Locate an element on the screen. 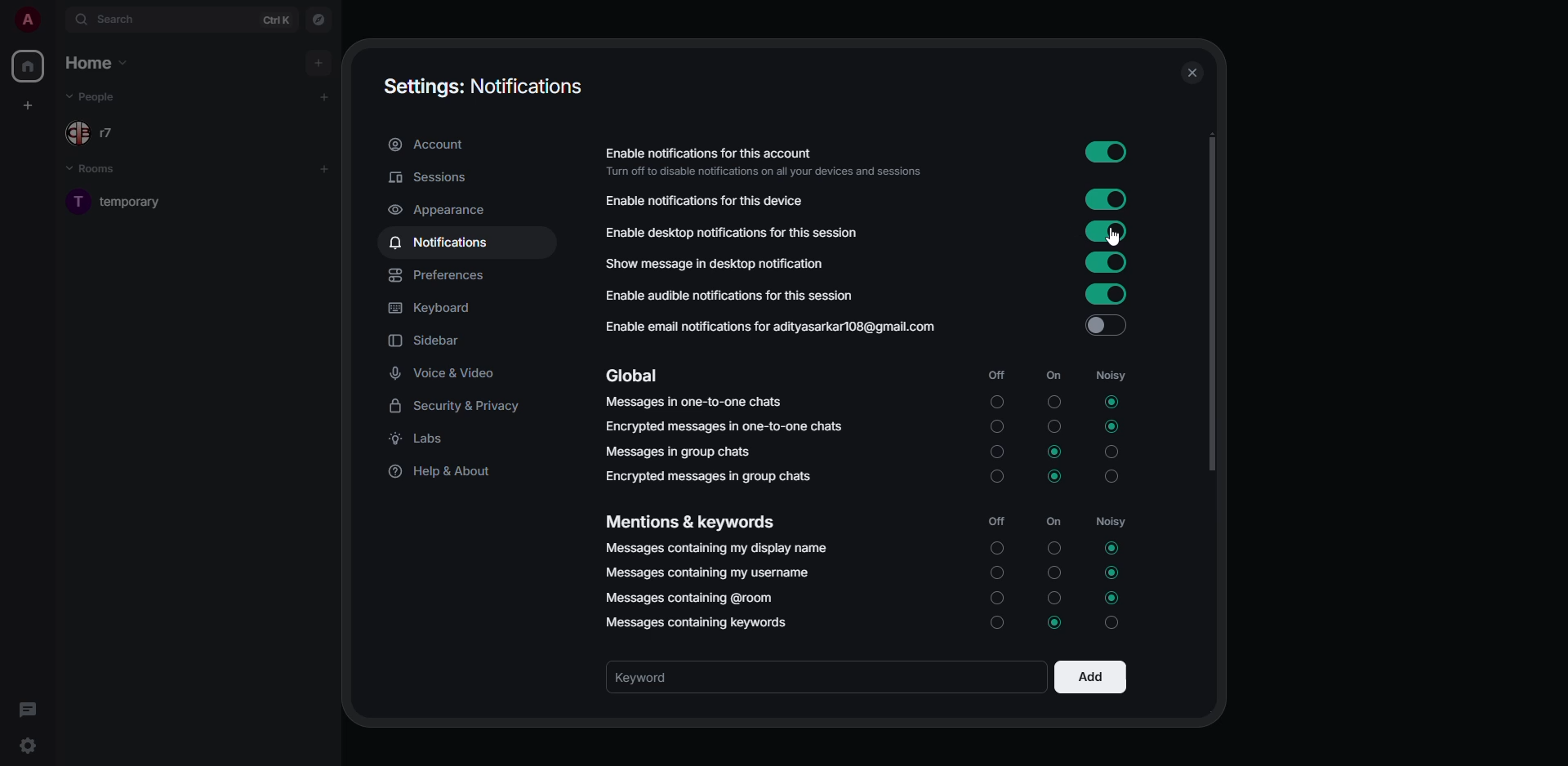 This screenshot has height=766, width=1568. scroll bar is located at coordinates (1218, 308).